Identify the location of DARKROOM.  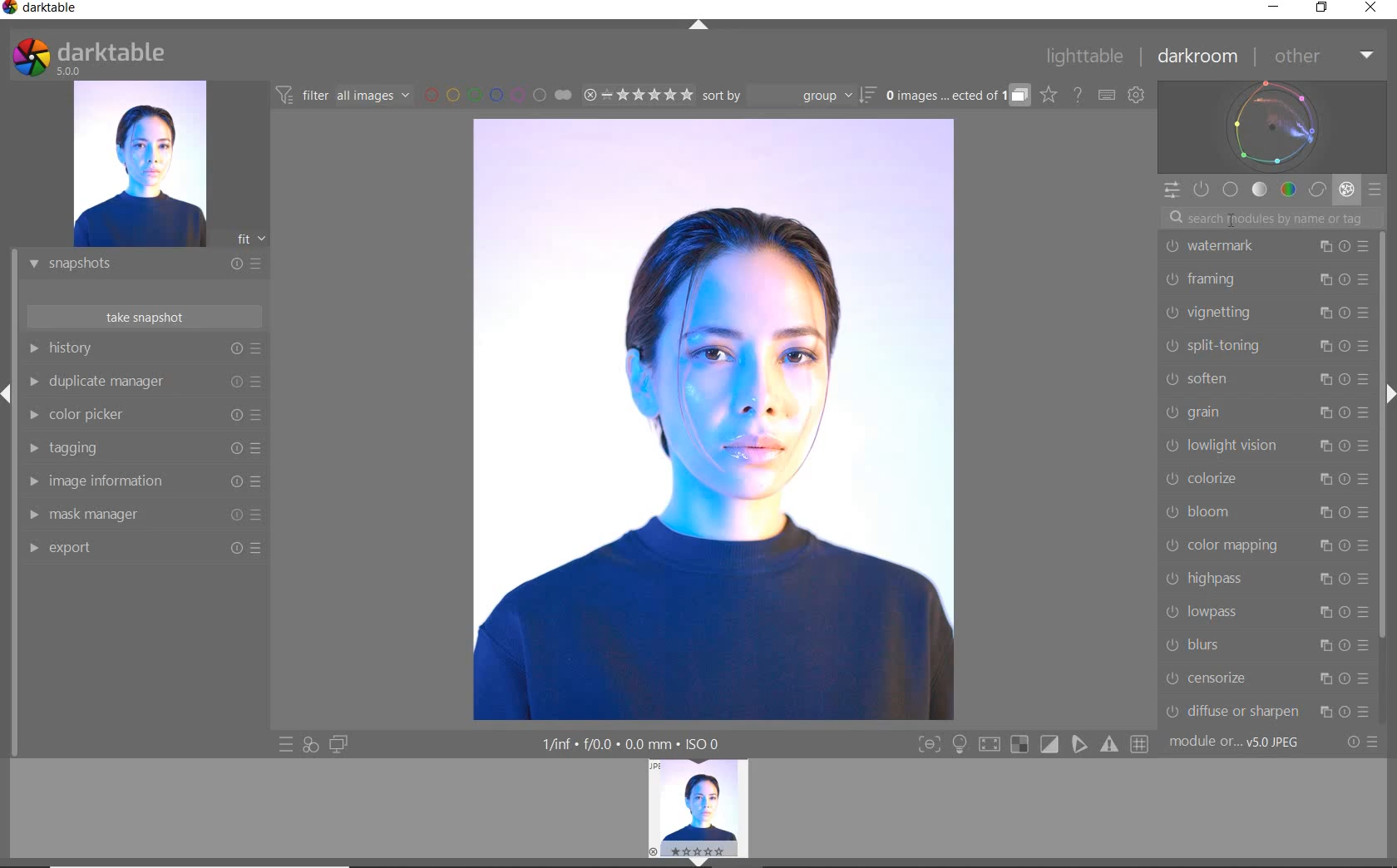
(1198, 57).